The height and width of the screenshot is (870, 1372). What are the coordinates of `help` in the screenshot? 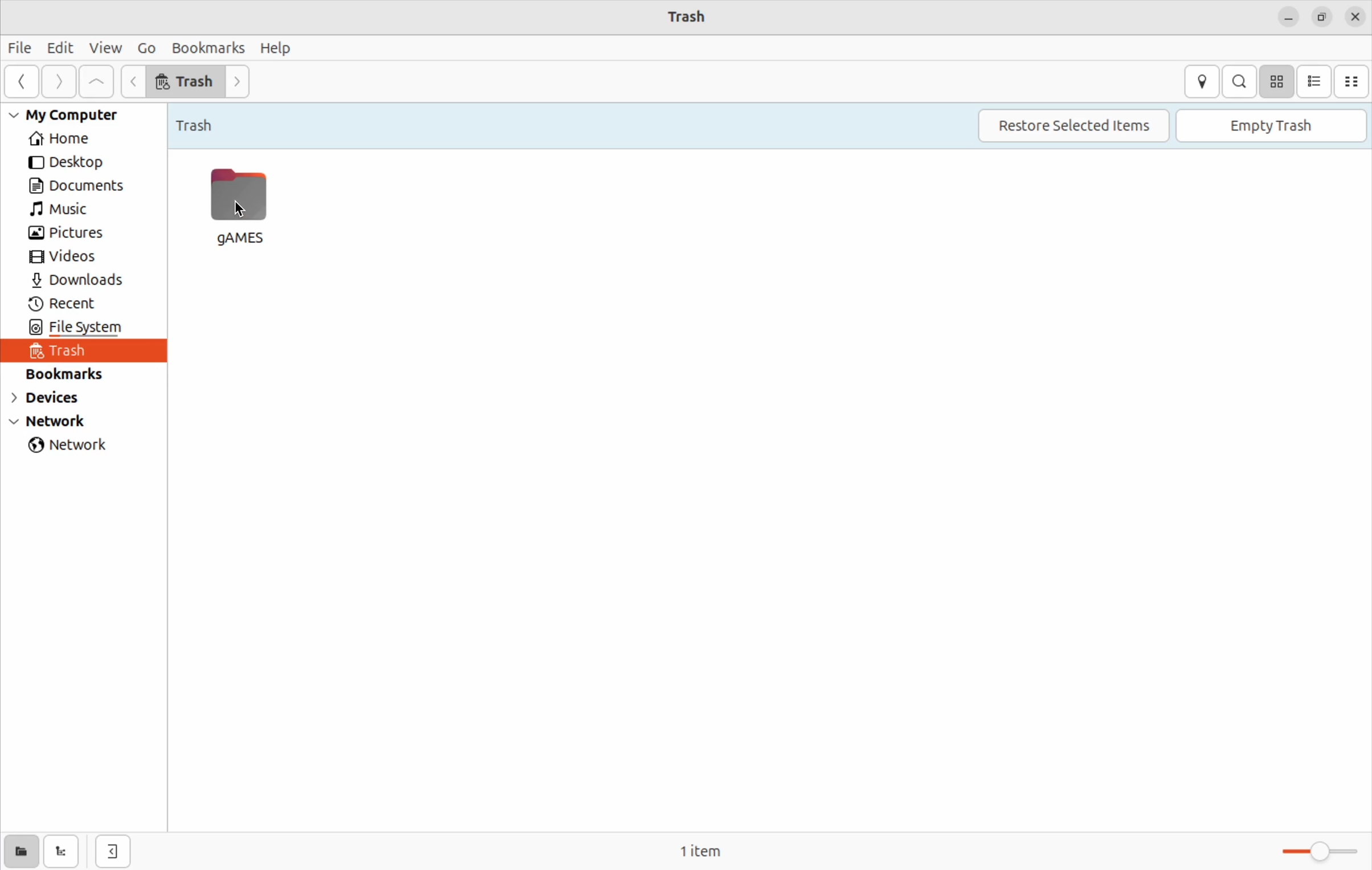 It's located at (276, 47).